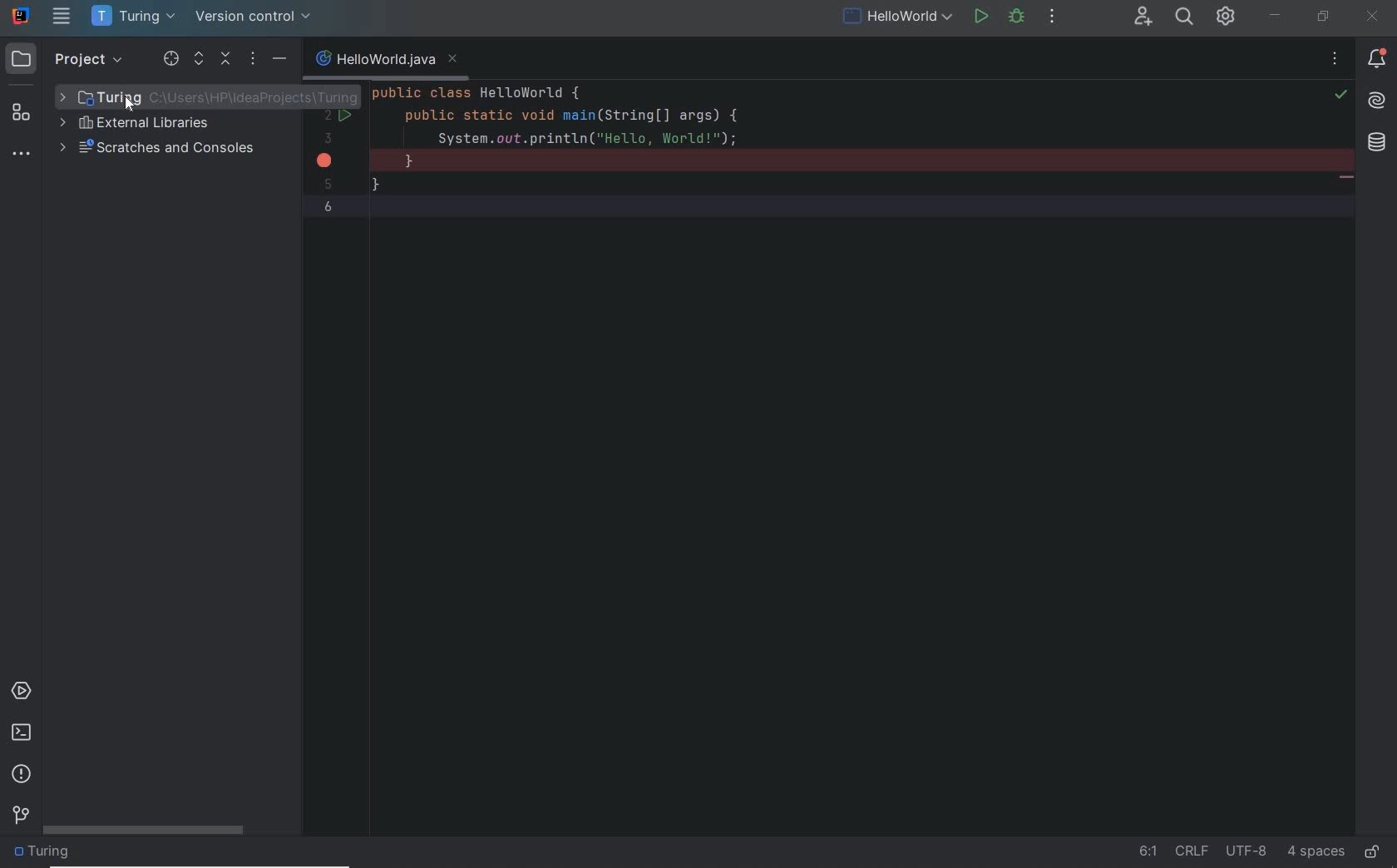  Describe the element at coordinates (1380, 144) in the screenshot. I see `database` at that location.